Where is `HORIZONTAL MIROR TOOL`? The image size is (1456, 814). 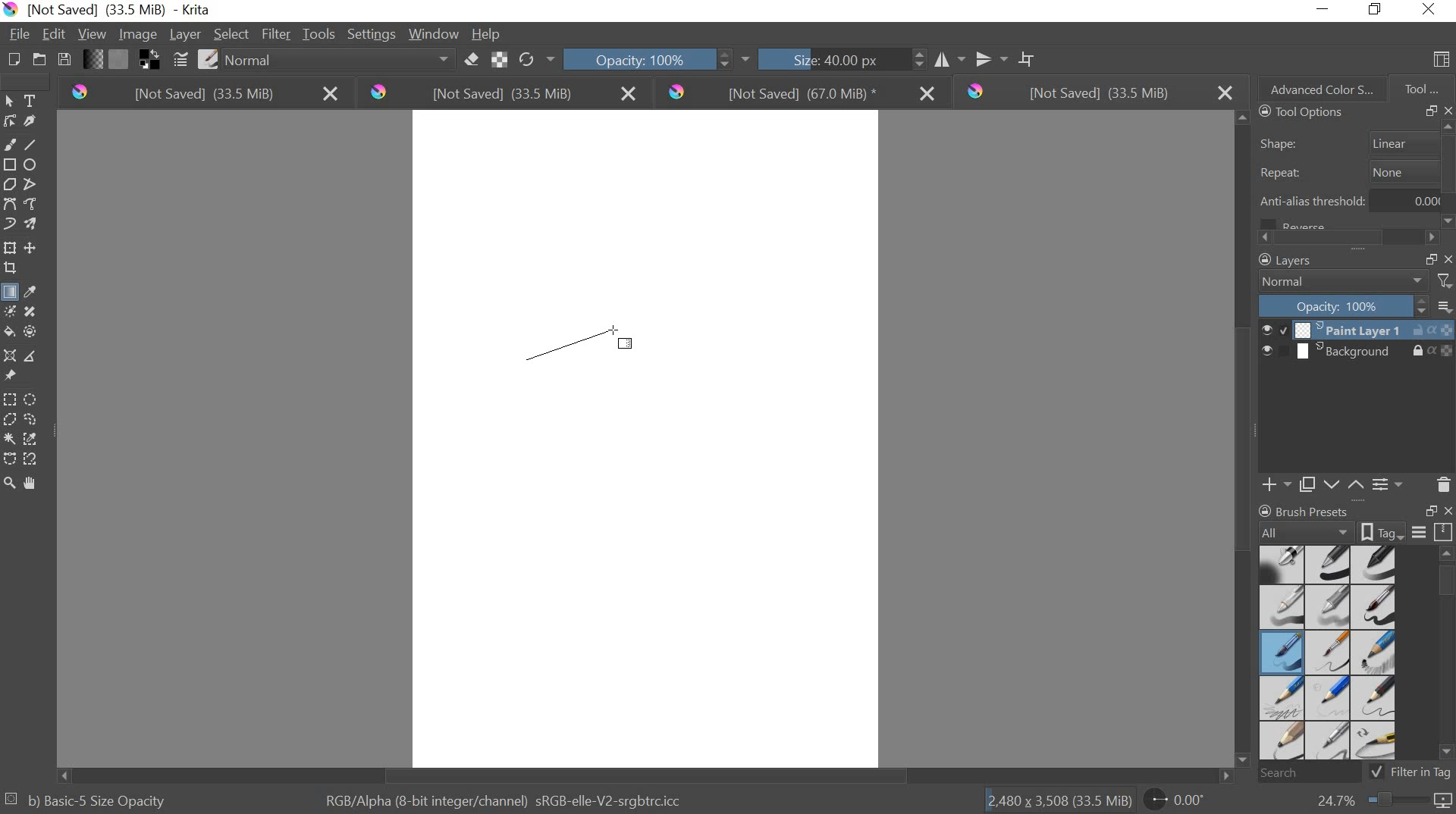
HORIZONTAL MIROR TOOL is located at coordinates (927, 57).